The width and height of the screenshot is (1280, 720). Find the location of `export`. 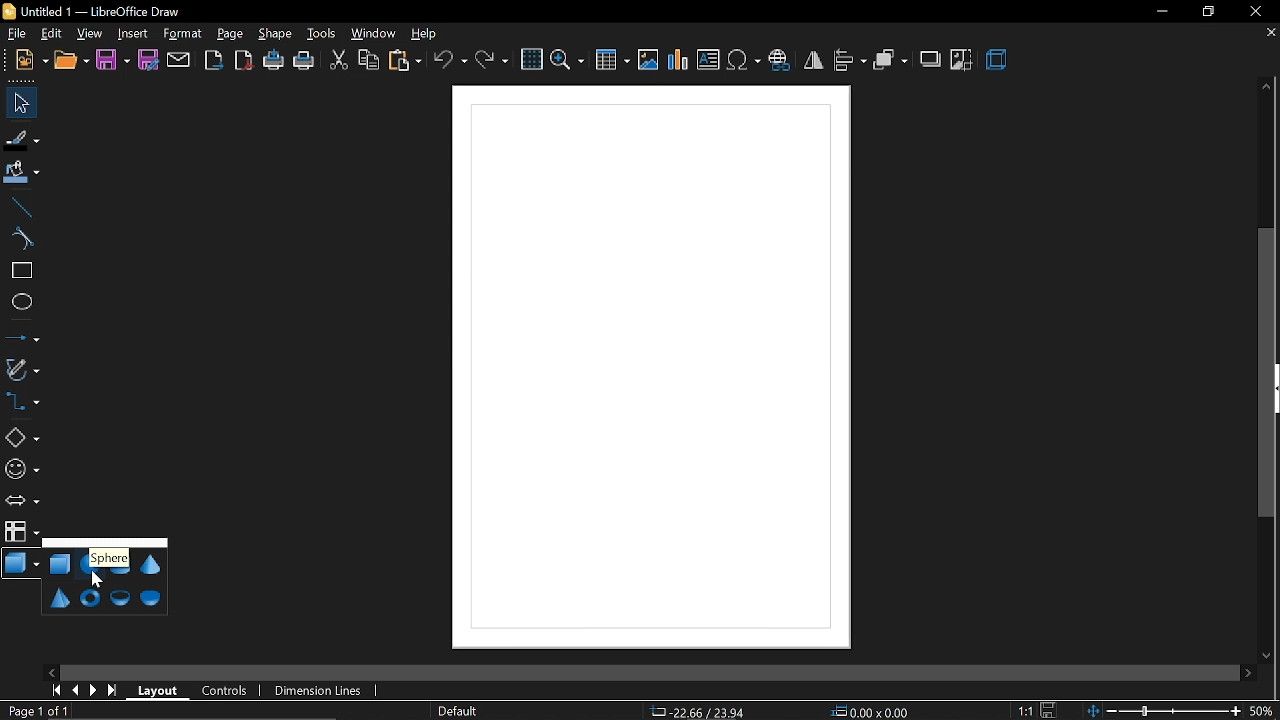

export is located at coordinates (213, 60).